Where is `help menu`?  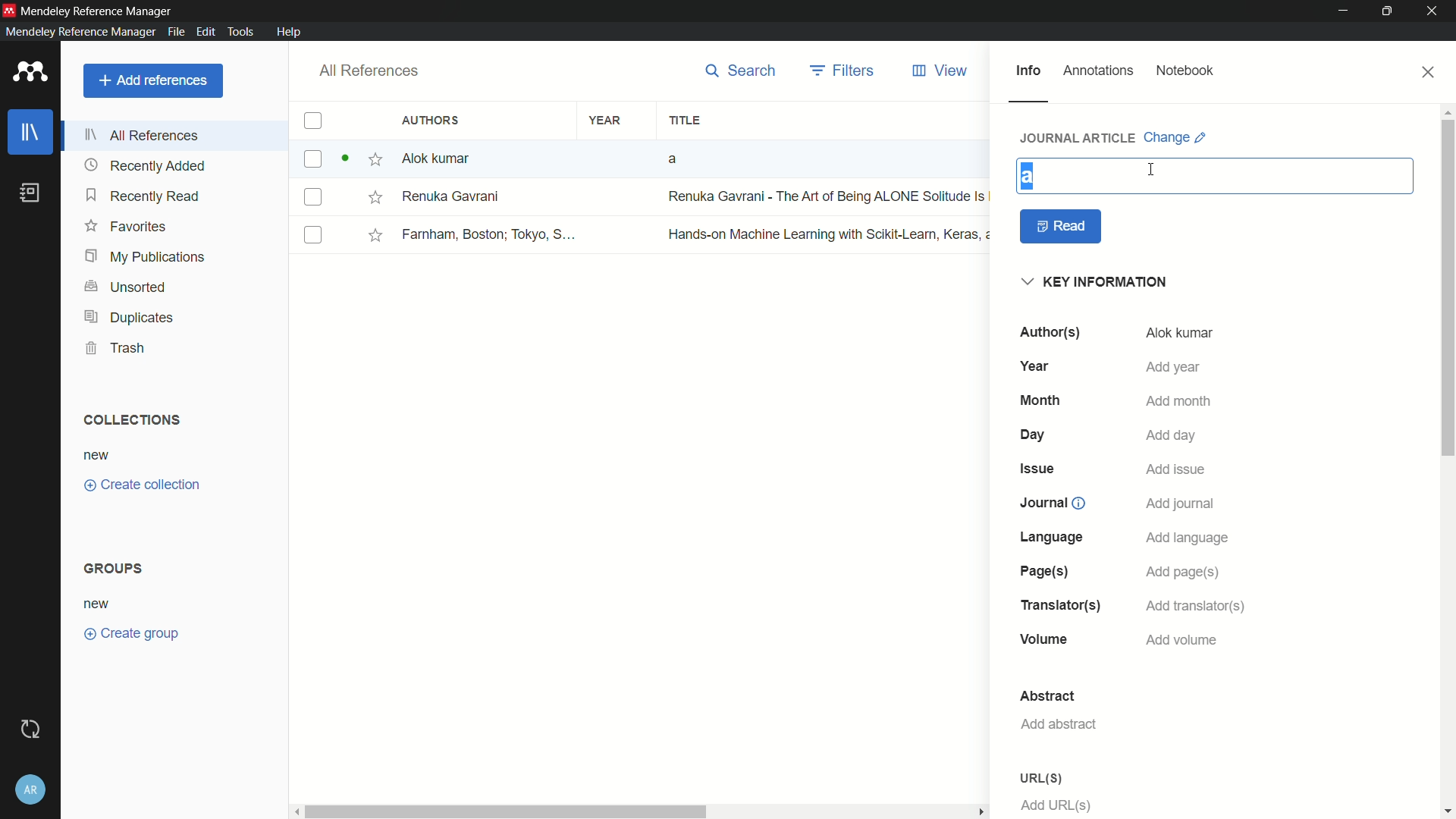
help menu is located at coordinates (288, 32).